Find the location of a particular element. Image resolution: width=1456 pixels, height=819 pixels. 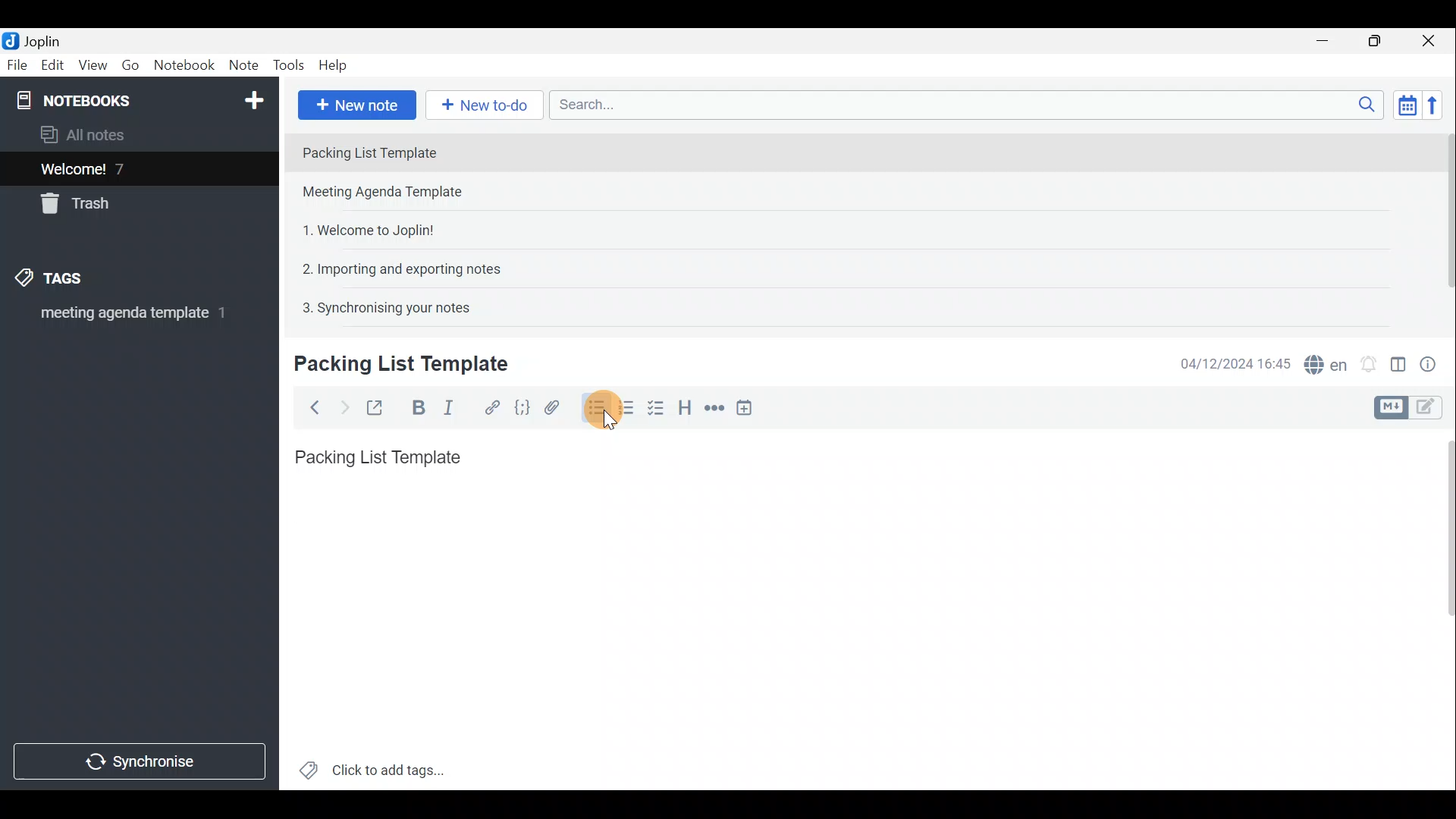

Notebook is located at coordinates (137, 99).